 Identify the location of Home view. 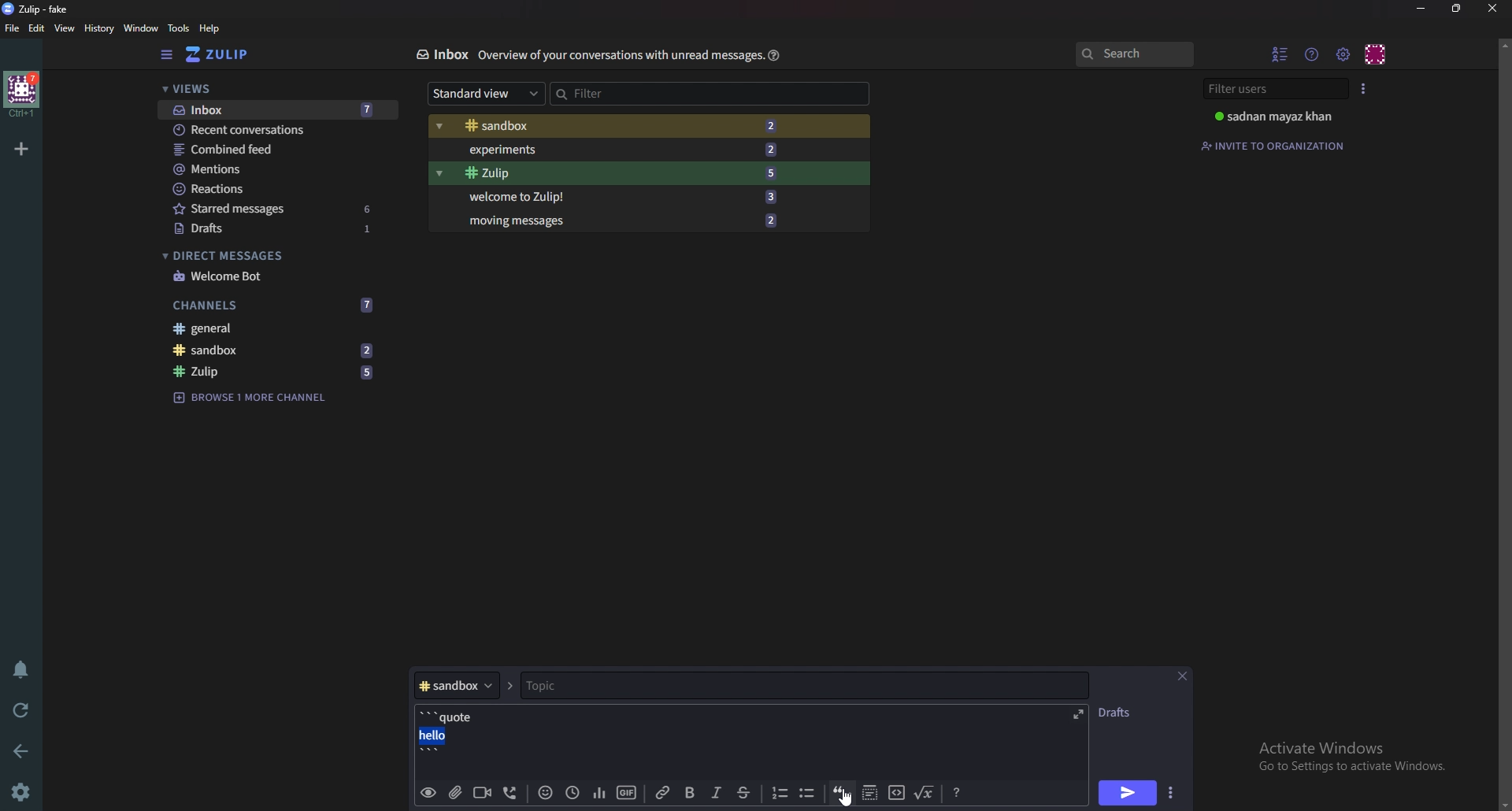
(226, 55).